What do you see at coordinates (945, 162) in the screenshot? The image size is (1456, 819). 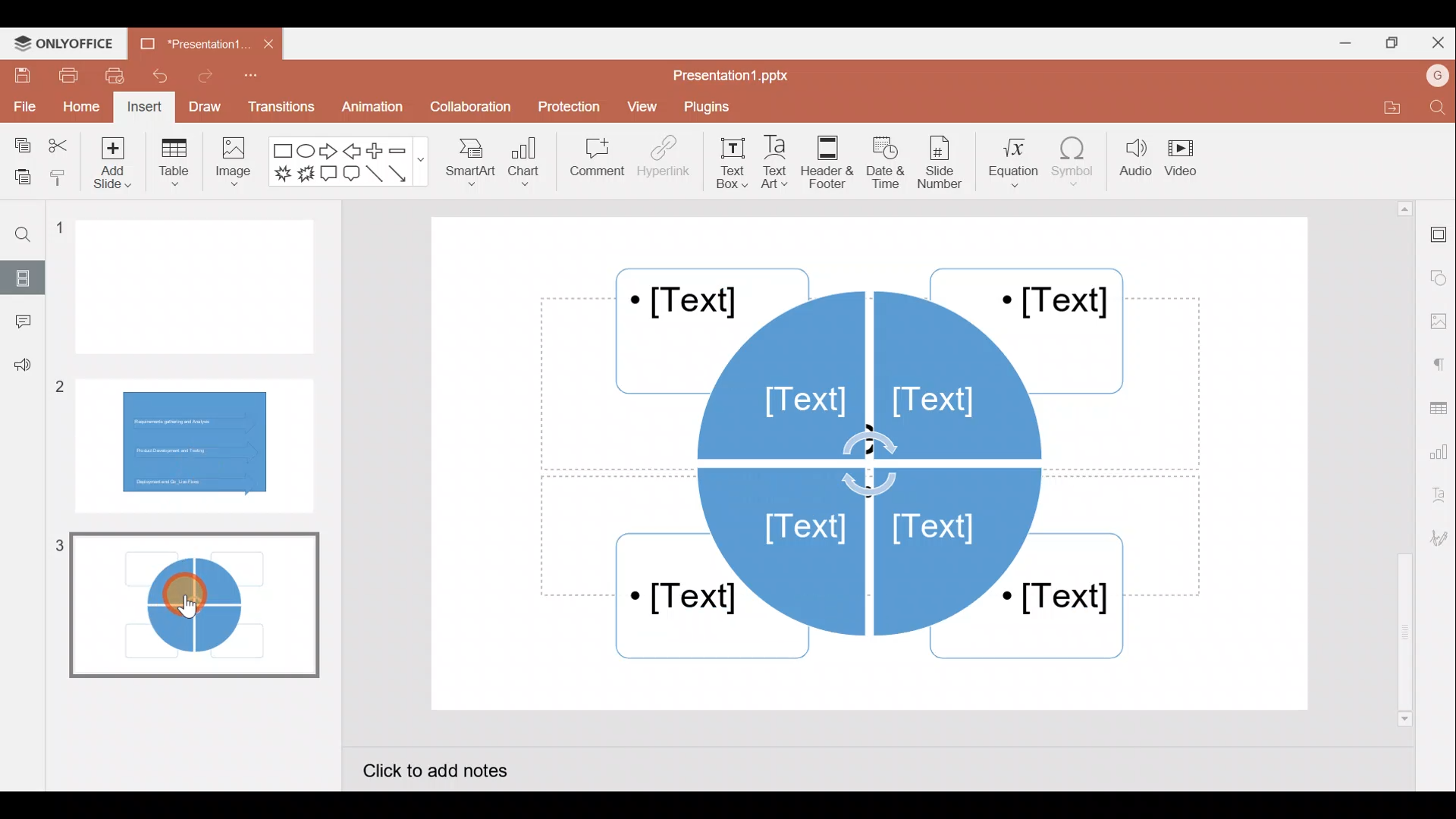 I see `Slide number` at bounding box center [945, 162].